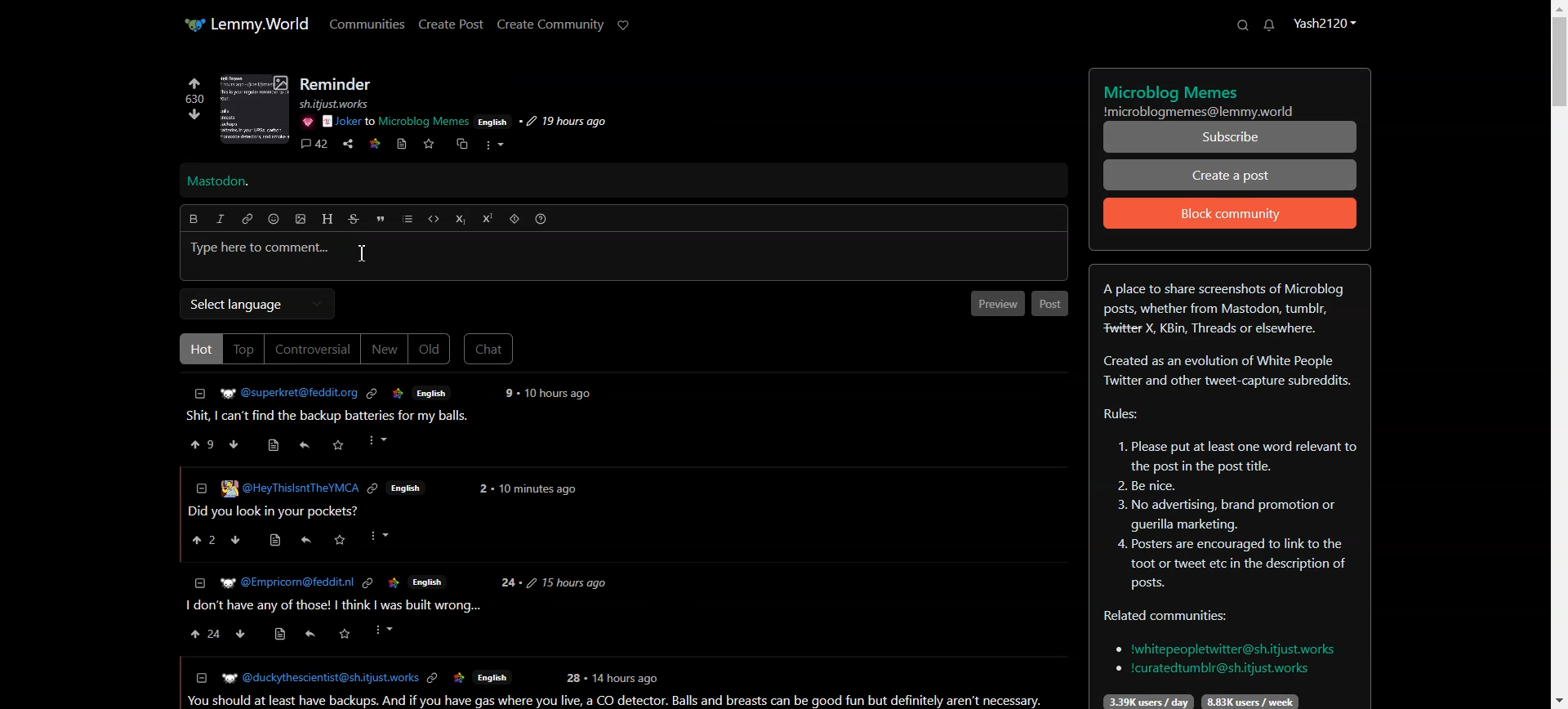 The width and height of the screenshot is (1568, 709). I want to click on , so click(380, 441).